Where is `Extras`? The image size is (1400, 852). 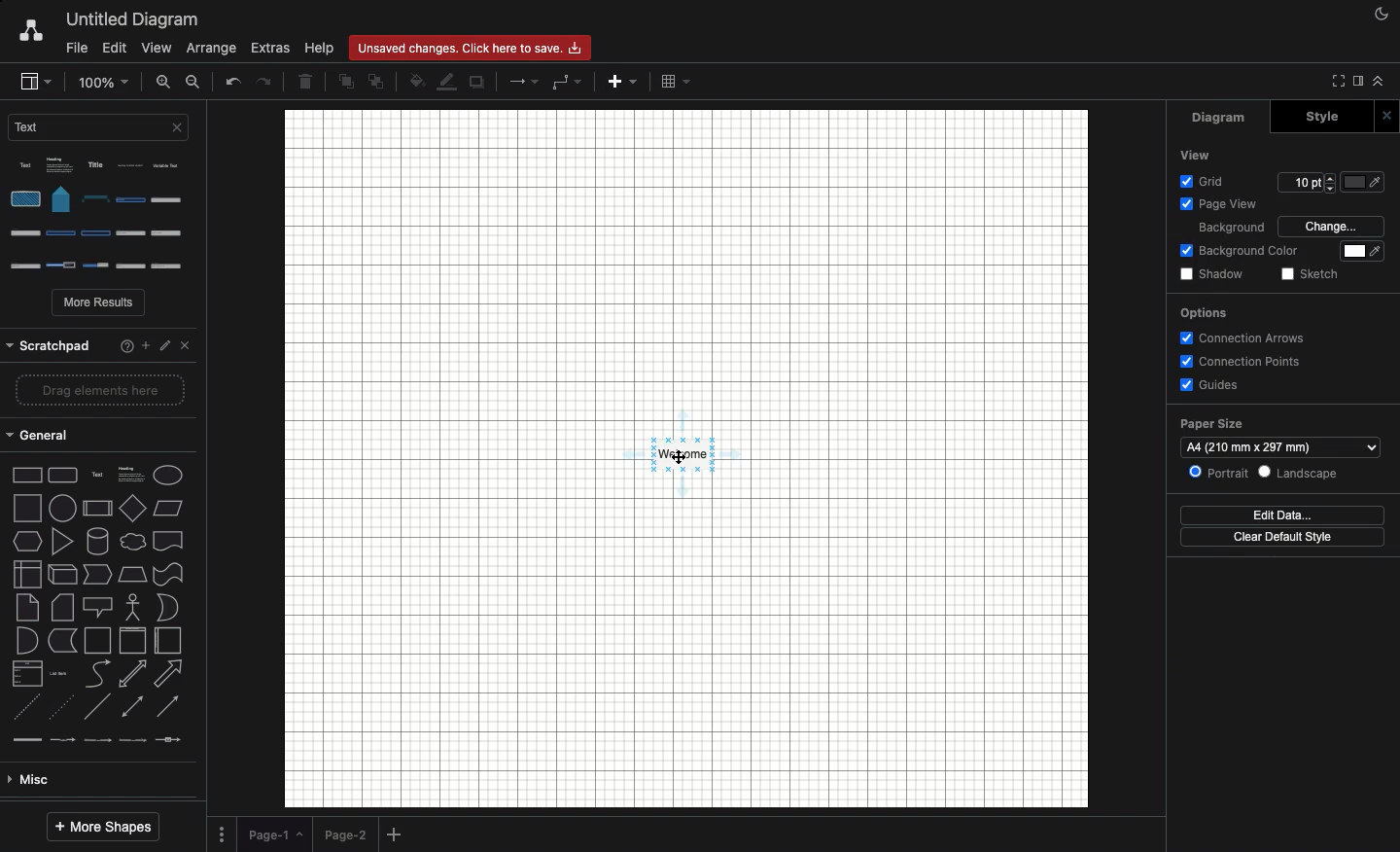 Extras is located at coordinates (271, 49).